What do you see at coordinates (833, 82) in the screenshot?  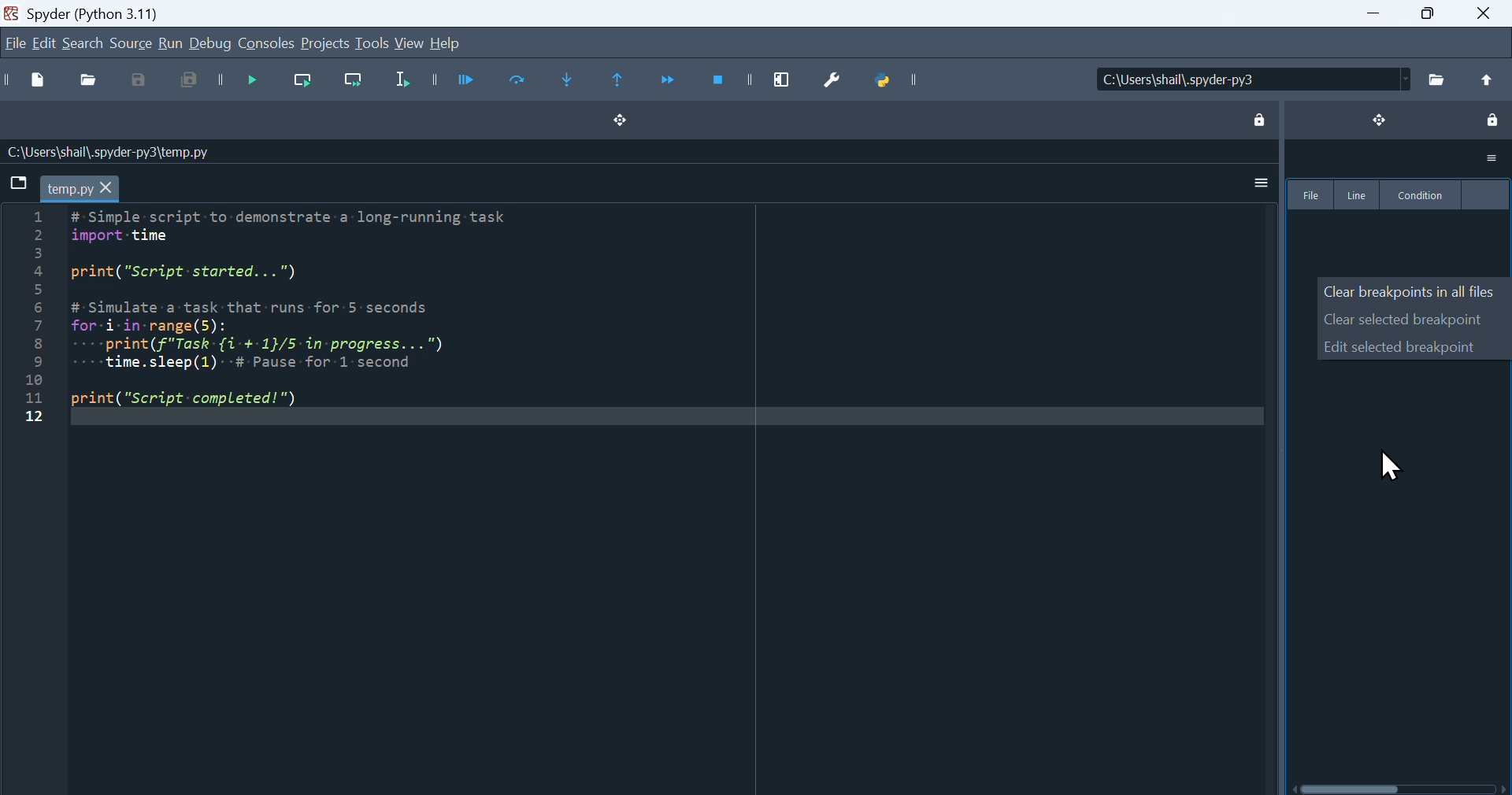 I see `Preferences` at bounding box center [833, 82].